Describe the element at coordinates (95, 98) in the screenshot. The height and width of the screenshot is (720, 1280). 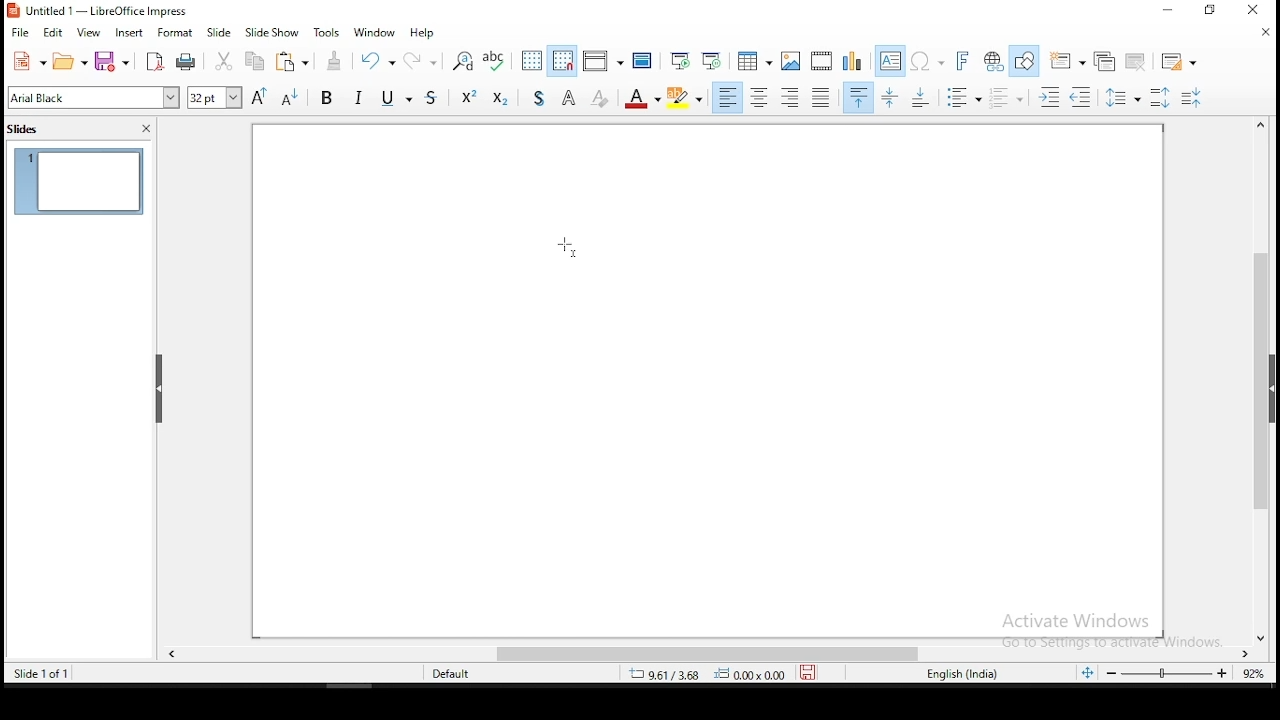
I see `Arial Black` at that location.